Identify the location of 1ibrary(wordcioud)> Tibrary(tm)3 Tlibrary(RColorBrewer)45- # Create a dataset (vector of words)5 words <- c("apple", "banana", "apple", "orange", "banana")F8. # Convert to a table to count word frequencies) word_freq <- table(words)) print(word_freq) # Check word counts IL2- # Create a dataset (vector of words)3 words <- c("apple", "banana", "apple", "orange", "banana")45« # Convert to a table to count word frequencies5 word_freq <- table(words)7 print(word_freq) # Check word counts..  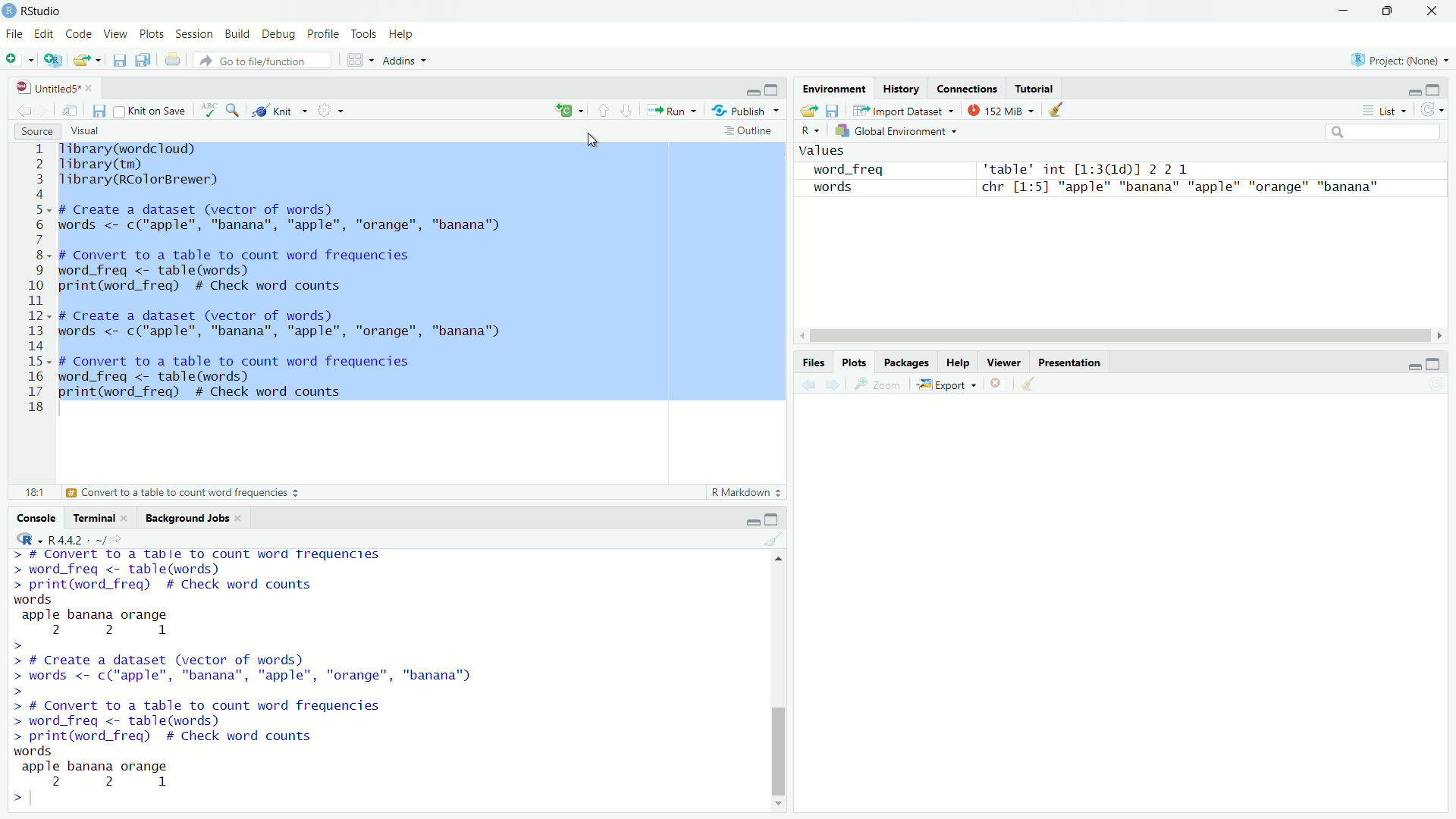
(284, 274).